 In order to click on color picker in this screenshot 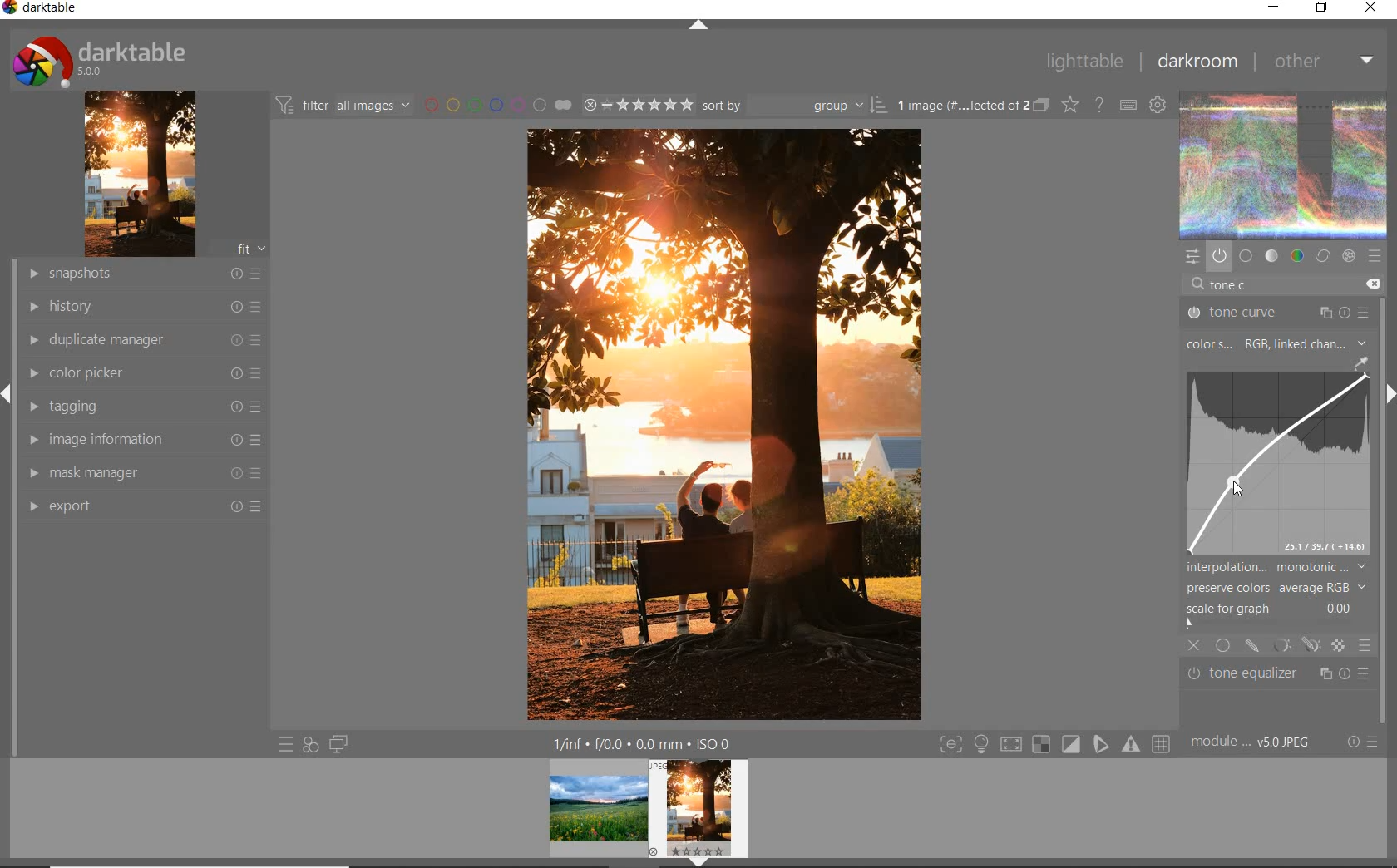, I will do `click(140, 372)`.